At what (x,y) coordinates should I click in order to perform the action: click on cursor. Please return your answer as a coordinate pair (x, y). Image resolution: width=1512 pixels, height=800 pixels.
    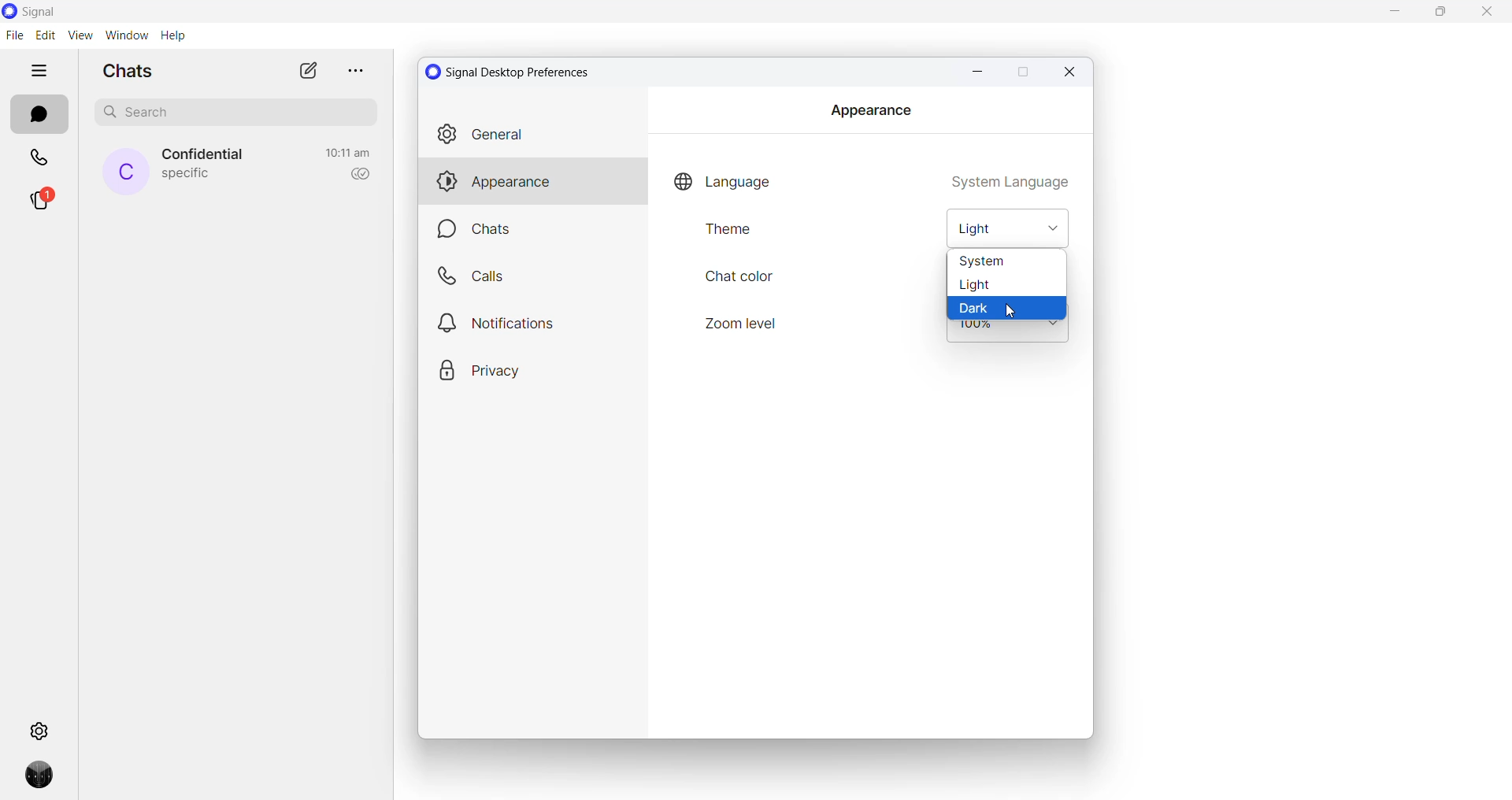
    Looking at the image, I should click on (1012, 313).